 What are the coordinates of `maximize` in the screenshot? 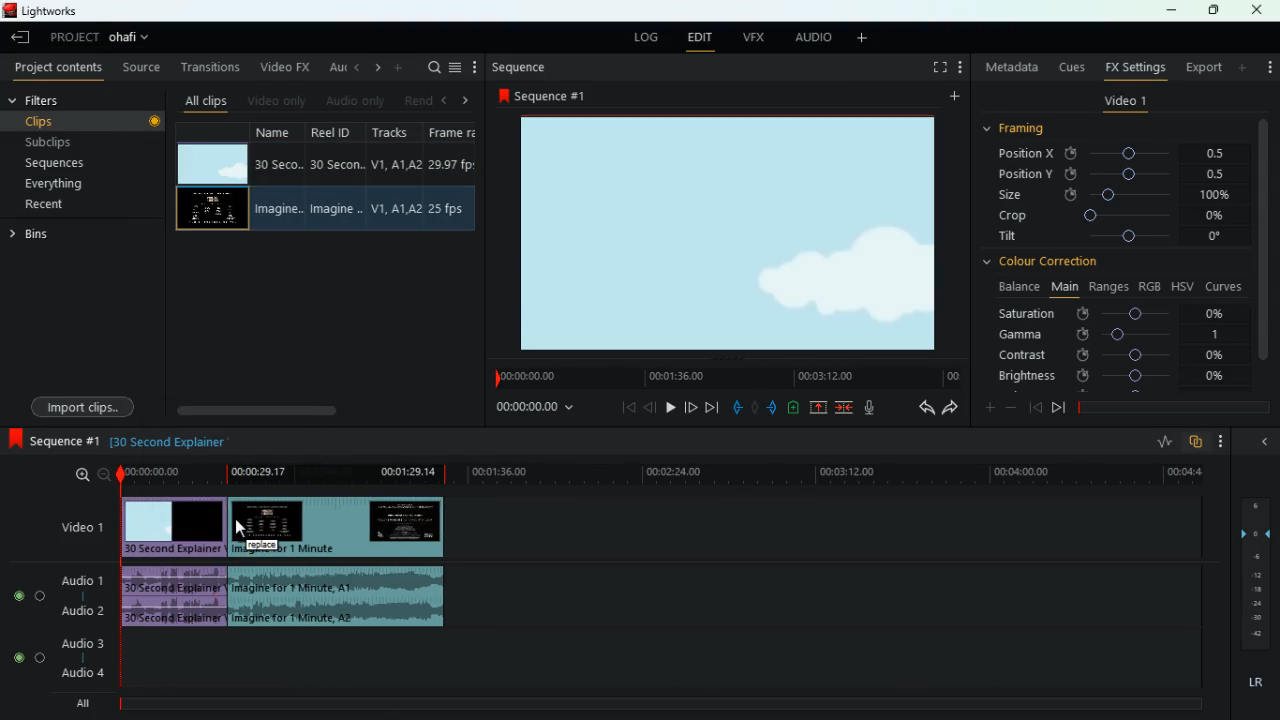 It's located at (1215, 10).